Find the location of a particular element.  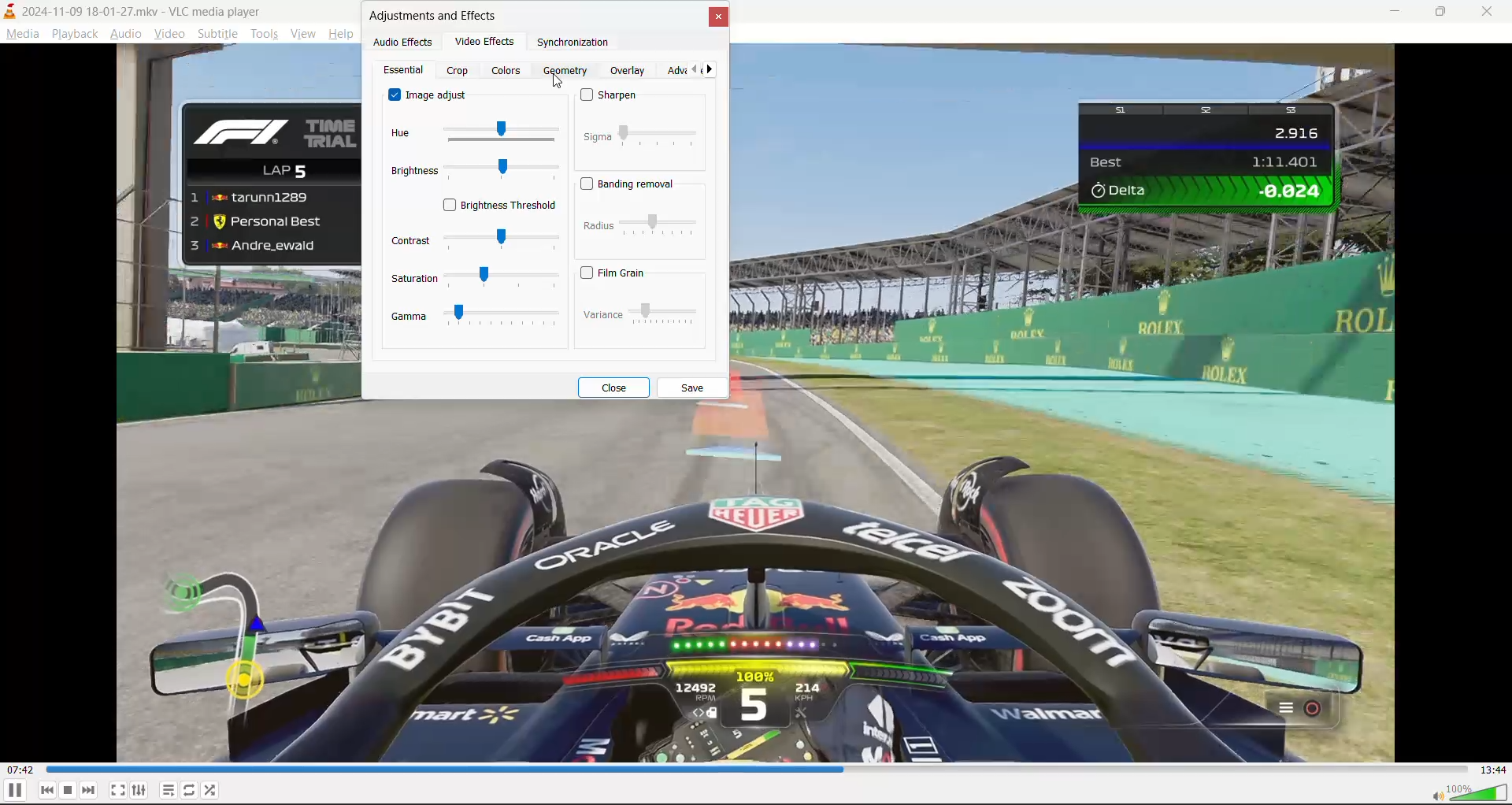

film grain is located at coordinates (620, 270).